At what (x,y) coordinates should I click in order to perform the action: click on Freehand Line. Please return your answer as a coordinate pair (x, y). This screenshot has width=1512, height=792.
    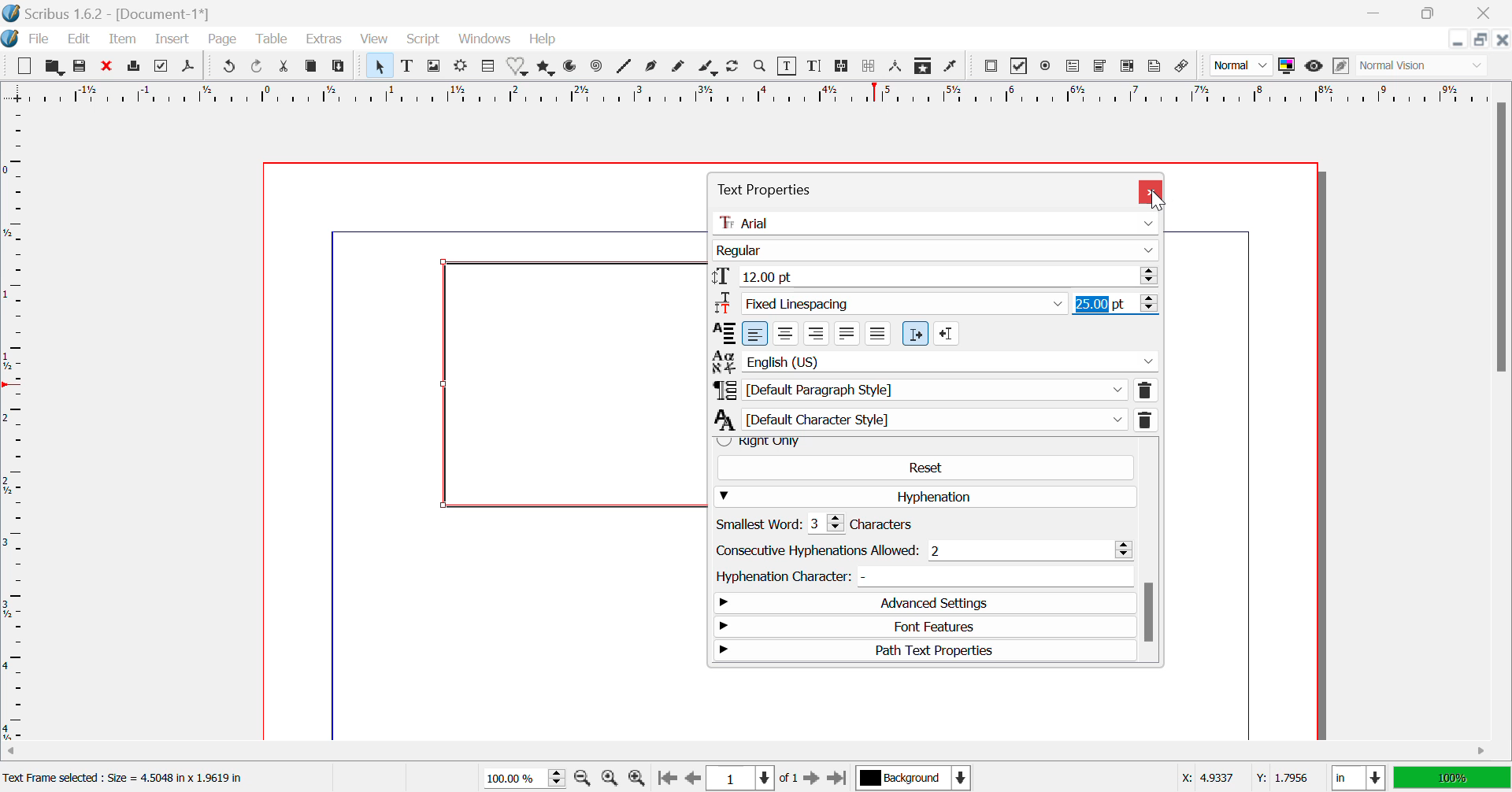
    Looking at the image, I should click on (679, 69).